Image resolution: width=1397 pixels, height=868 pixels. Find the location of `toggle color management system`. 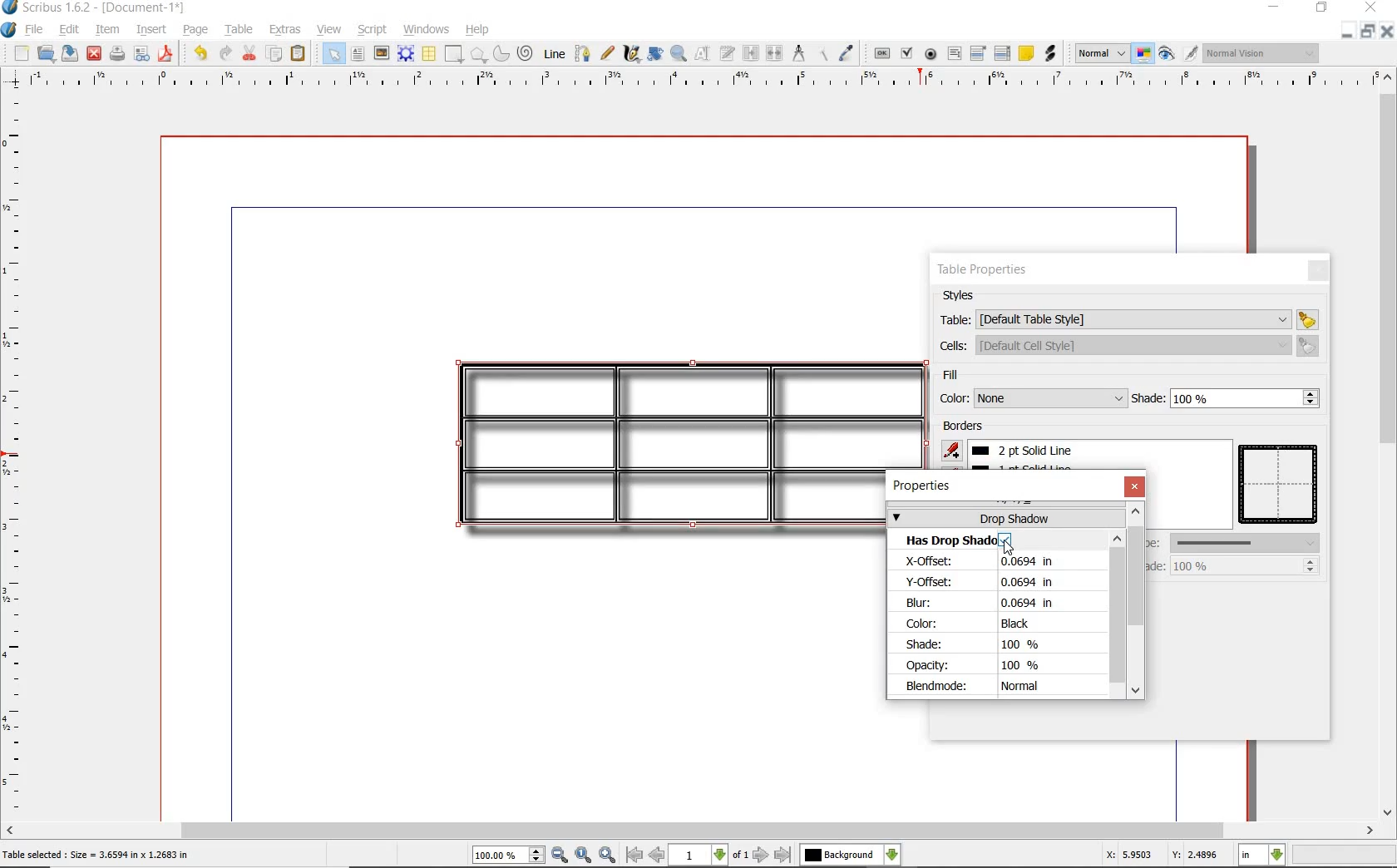

toggle color management system is located at coordinates (1140, 52).